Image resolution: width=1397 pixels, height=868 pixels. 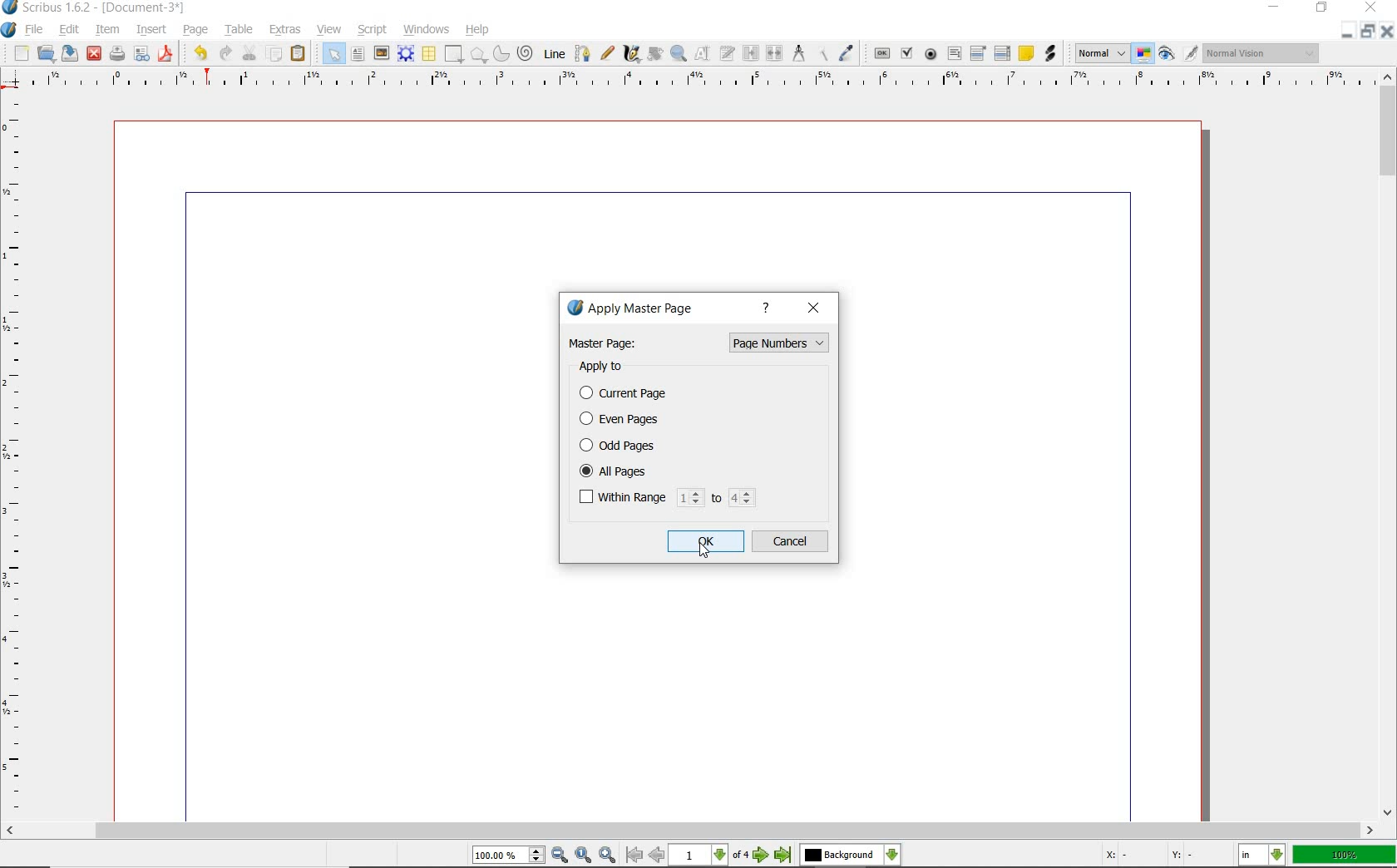 What do you see at coordinates (1346, 33) in the screenshot?
I see `Restore Down` at bounding box center [1346, 33].